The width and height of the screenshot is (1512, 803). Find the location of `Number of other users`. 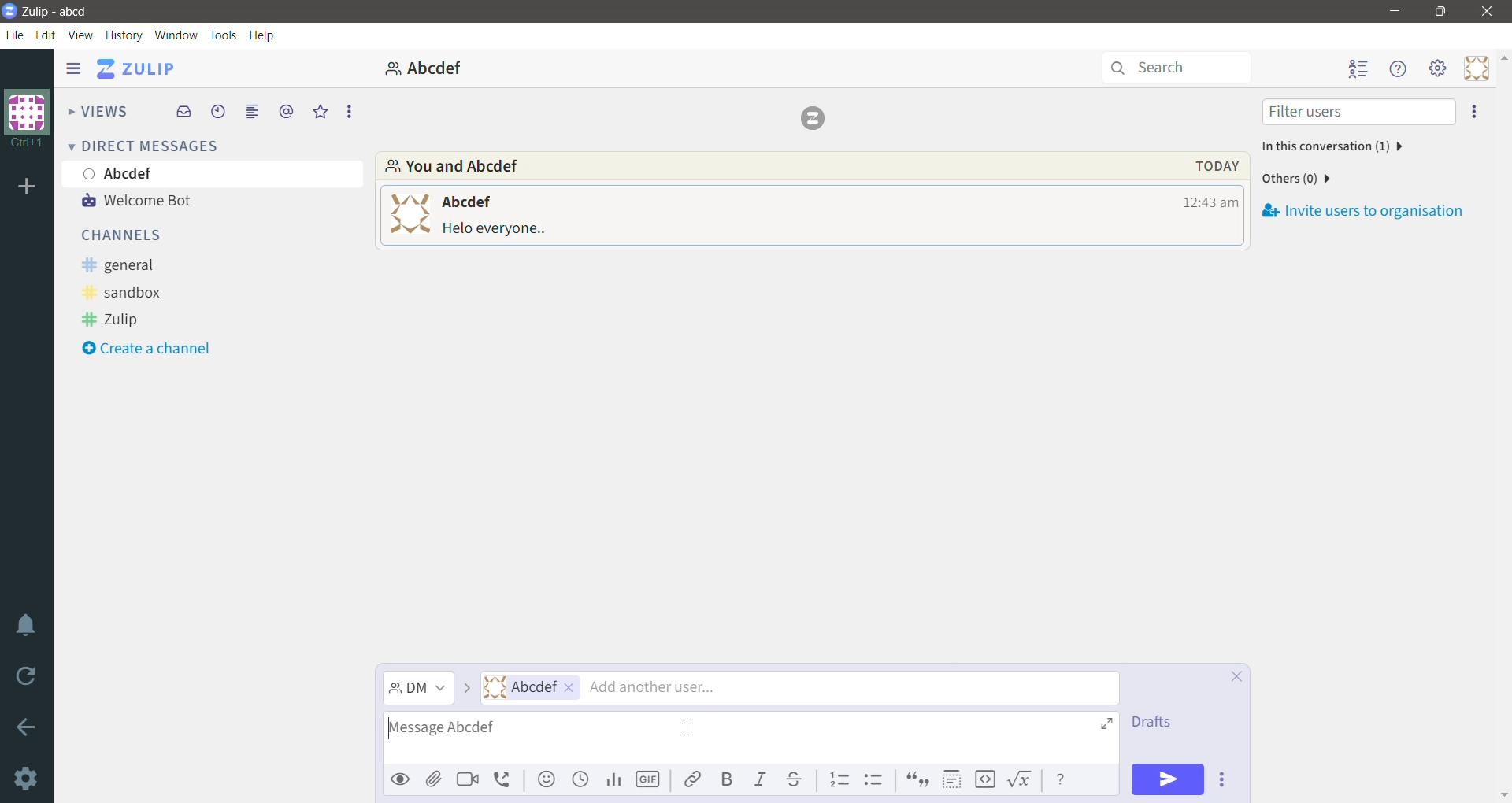

Number of other users is located at coordinates (1297, 179).